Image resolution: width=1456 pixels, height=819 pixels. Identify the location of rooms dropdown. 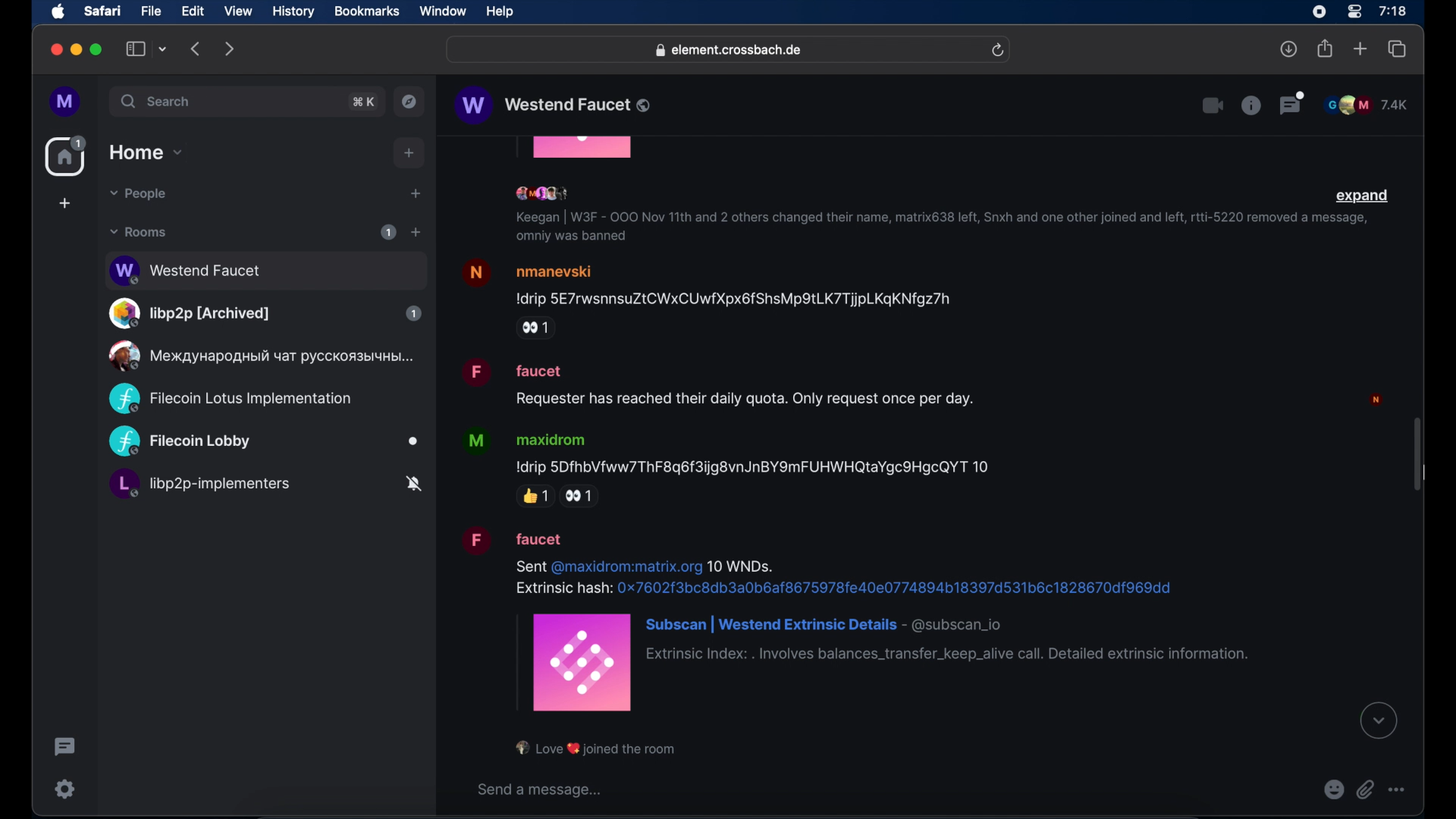
(139, 232).